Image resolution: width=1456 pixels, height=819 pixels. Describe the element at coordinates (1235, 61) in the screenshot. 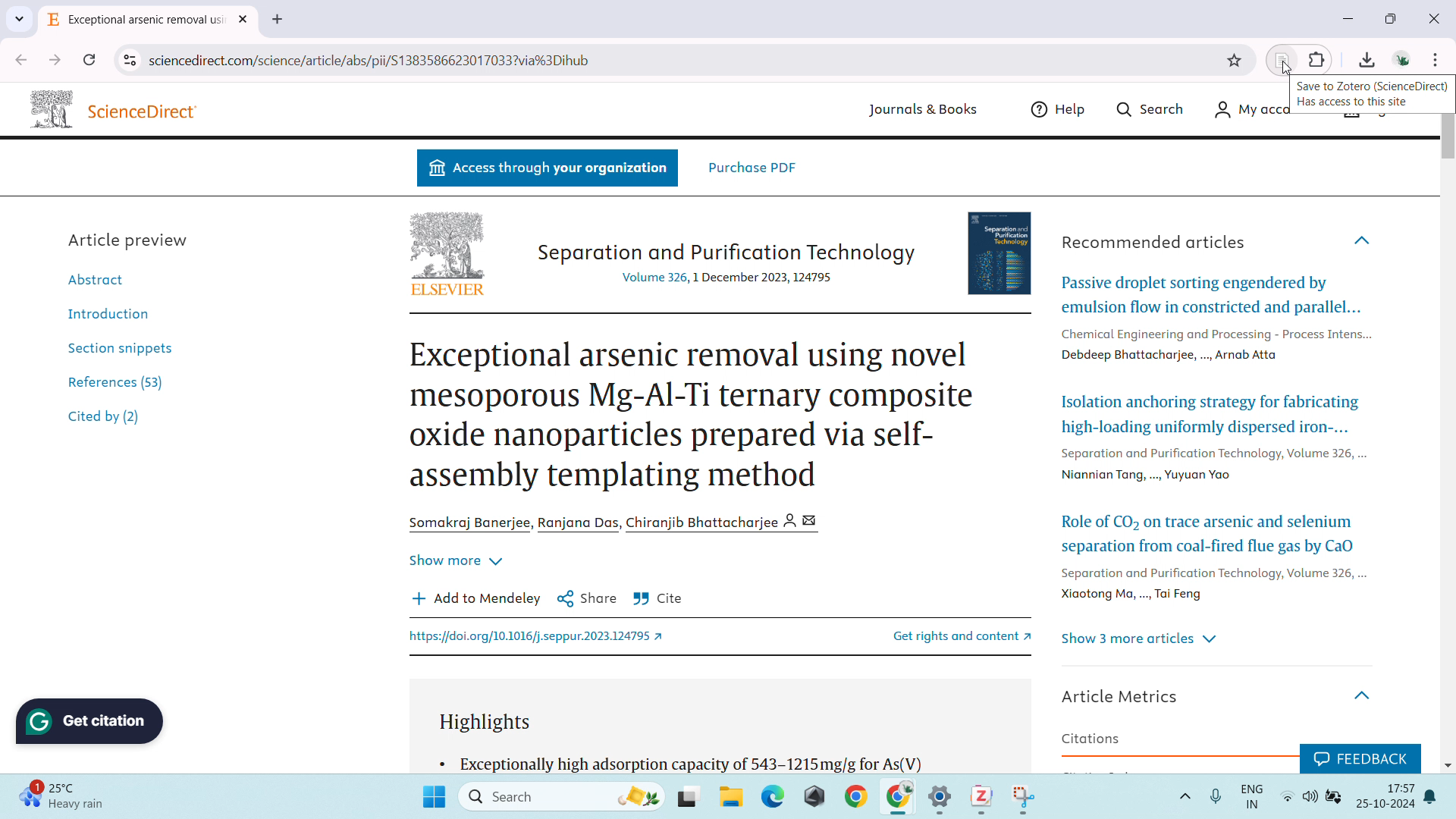

I see `bookmark this tab` at that location.